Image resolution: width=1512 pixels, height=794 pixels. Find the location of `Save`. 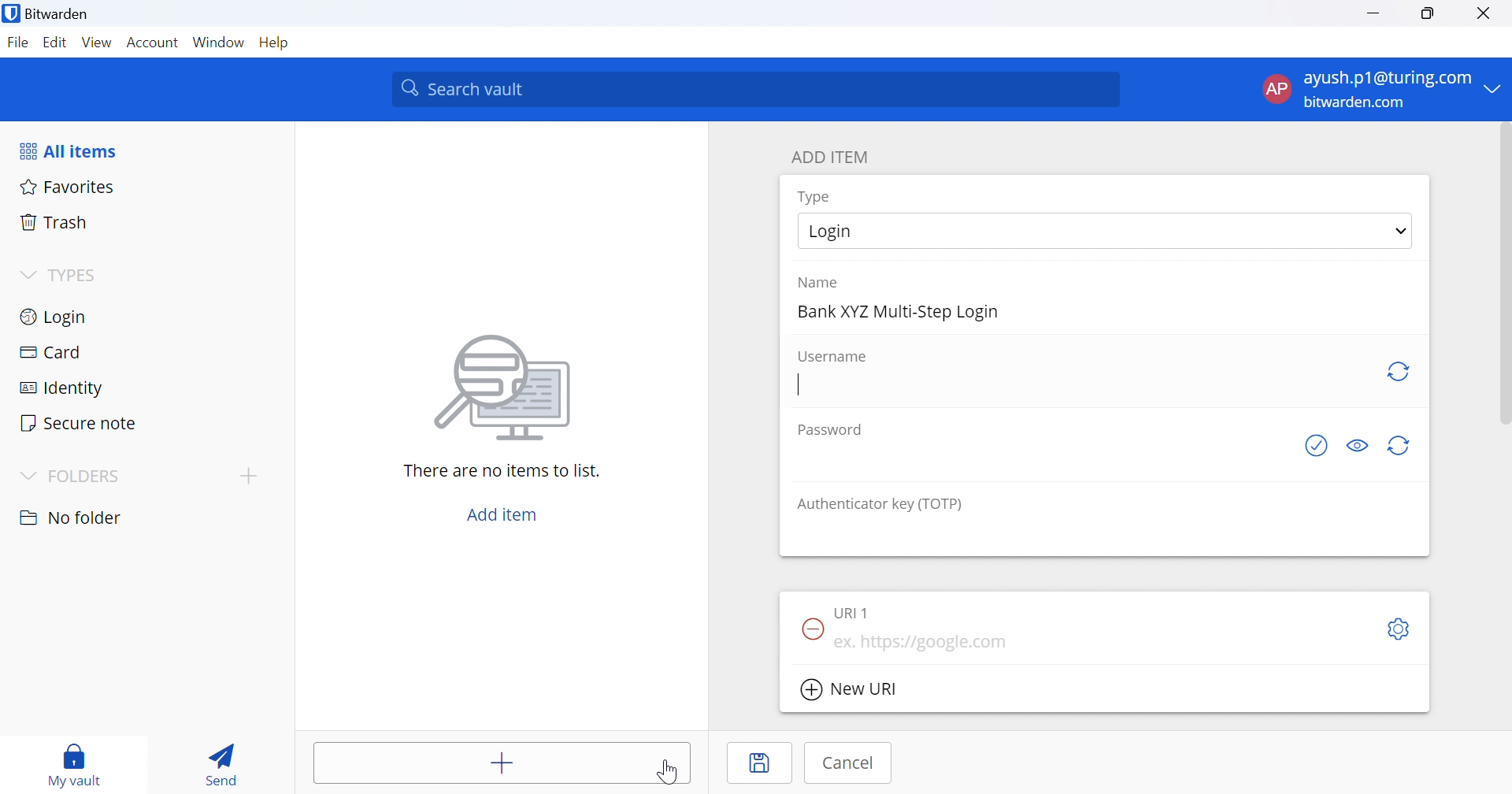

Save is located at coordinates (760, 763).